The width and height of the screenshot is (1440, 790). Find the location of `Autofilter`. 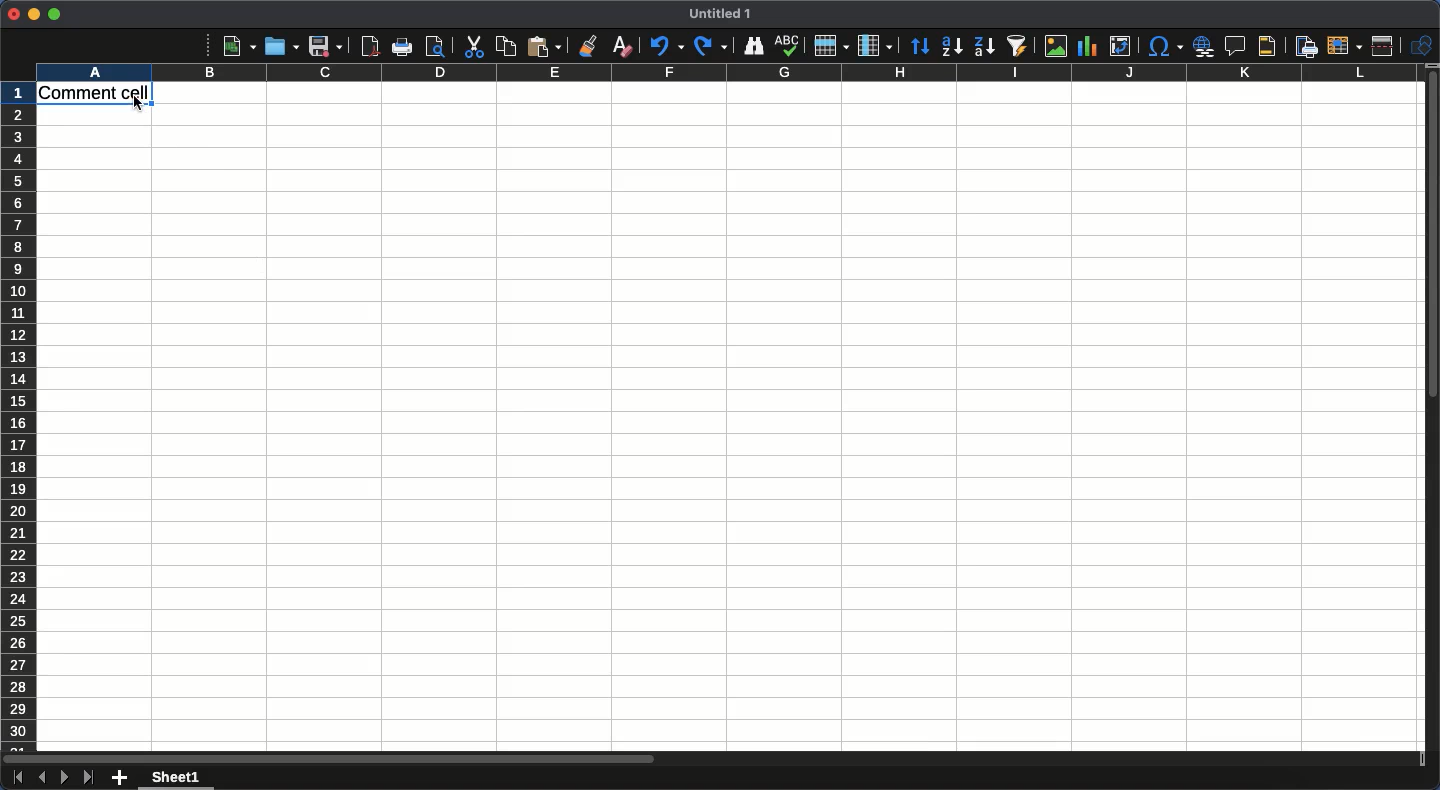

Autofilter is located at coordinates (1021, 44).